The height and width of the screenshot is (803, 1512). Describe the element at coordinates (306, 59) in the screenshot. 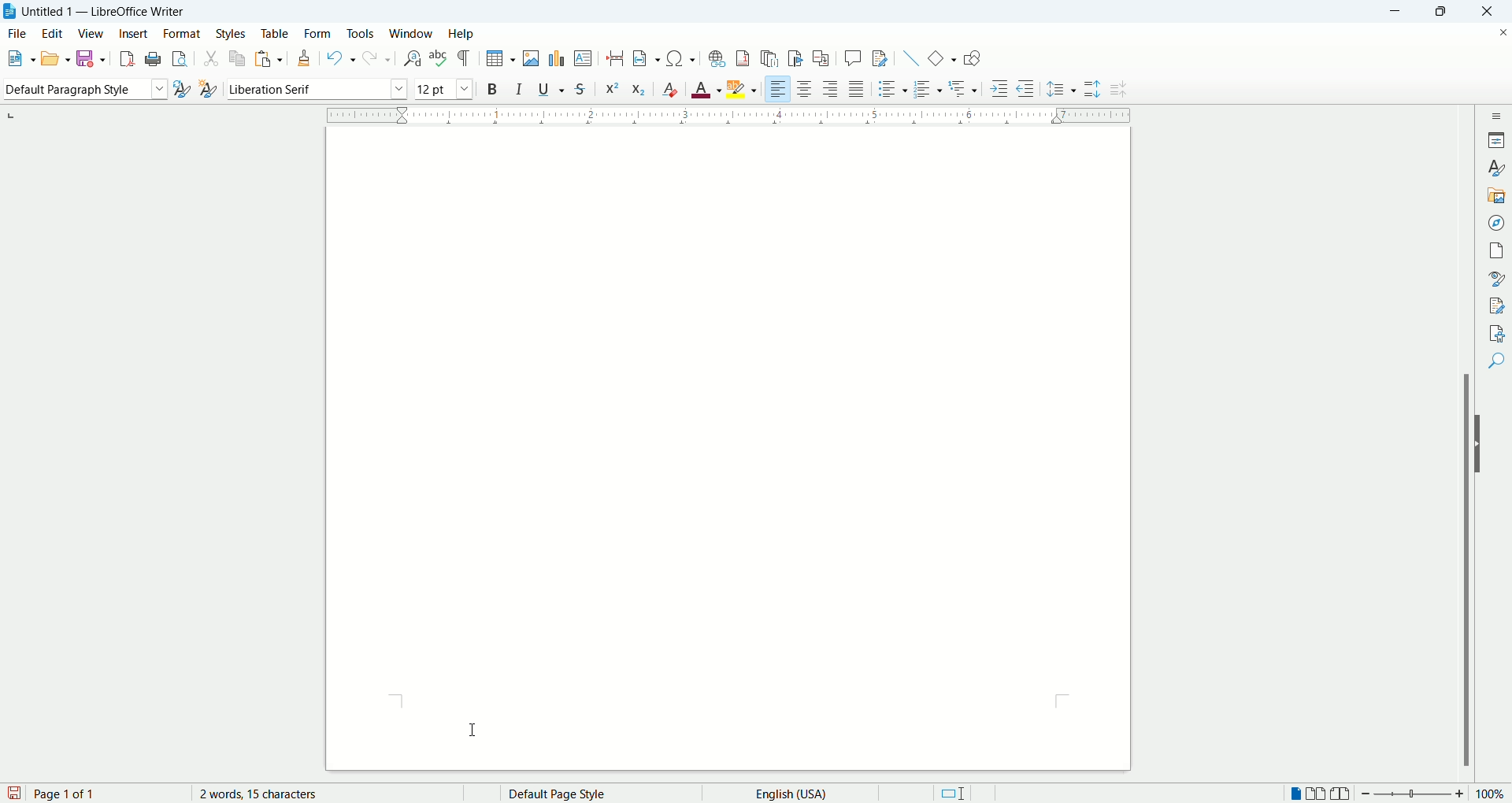

I see `clone formatting` at that location.